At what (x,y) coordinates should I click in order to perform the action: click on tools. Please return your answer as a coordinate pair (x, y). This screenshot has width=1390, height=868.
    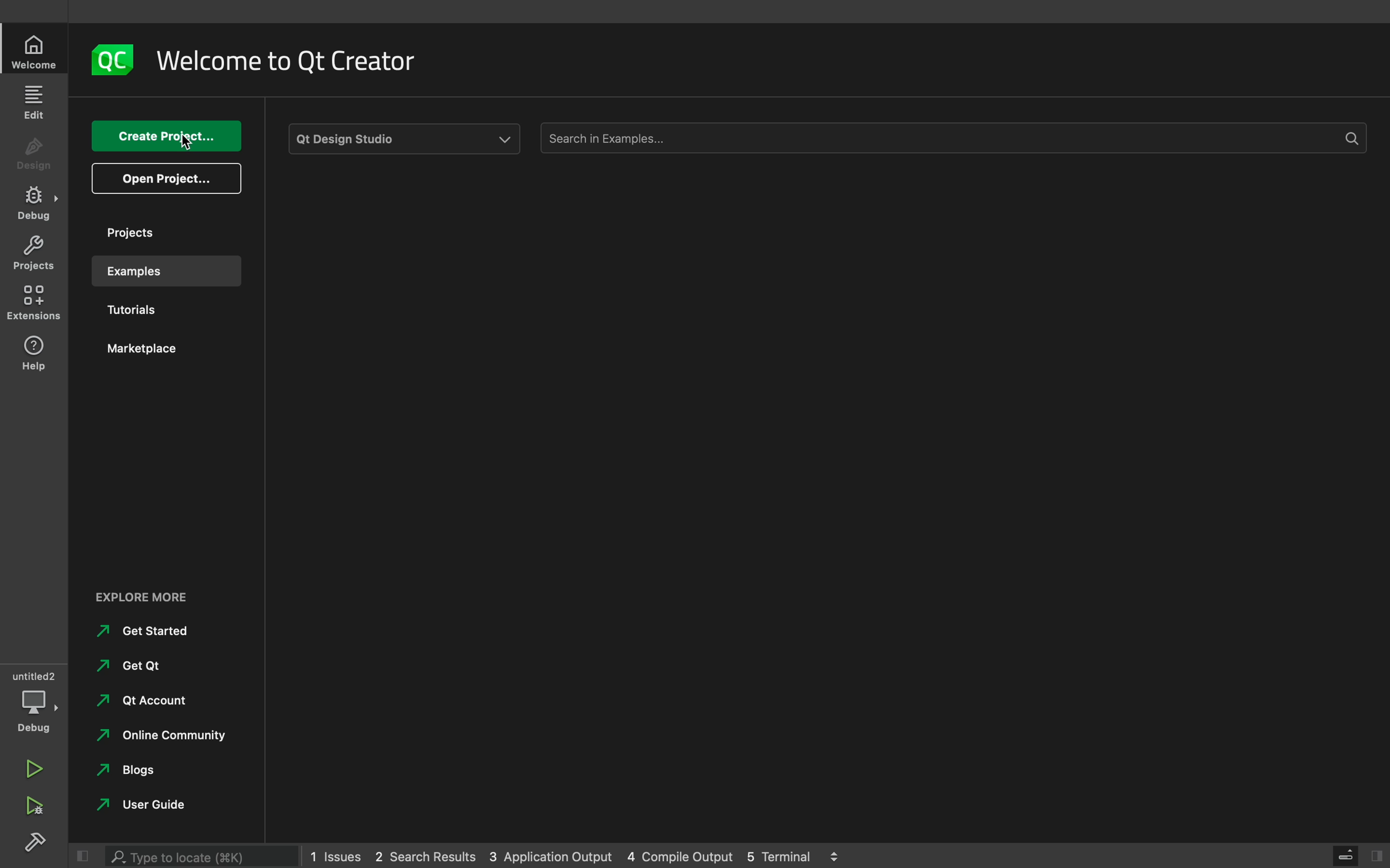
    Looking at the image, I should click on (403, 139).